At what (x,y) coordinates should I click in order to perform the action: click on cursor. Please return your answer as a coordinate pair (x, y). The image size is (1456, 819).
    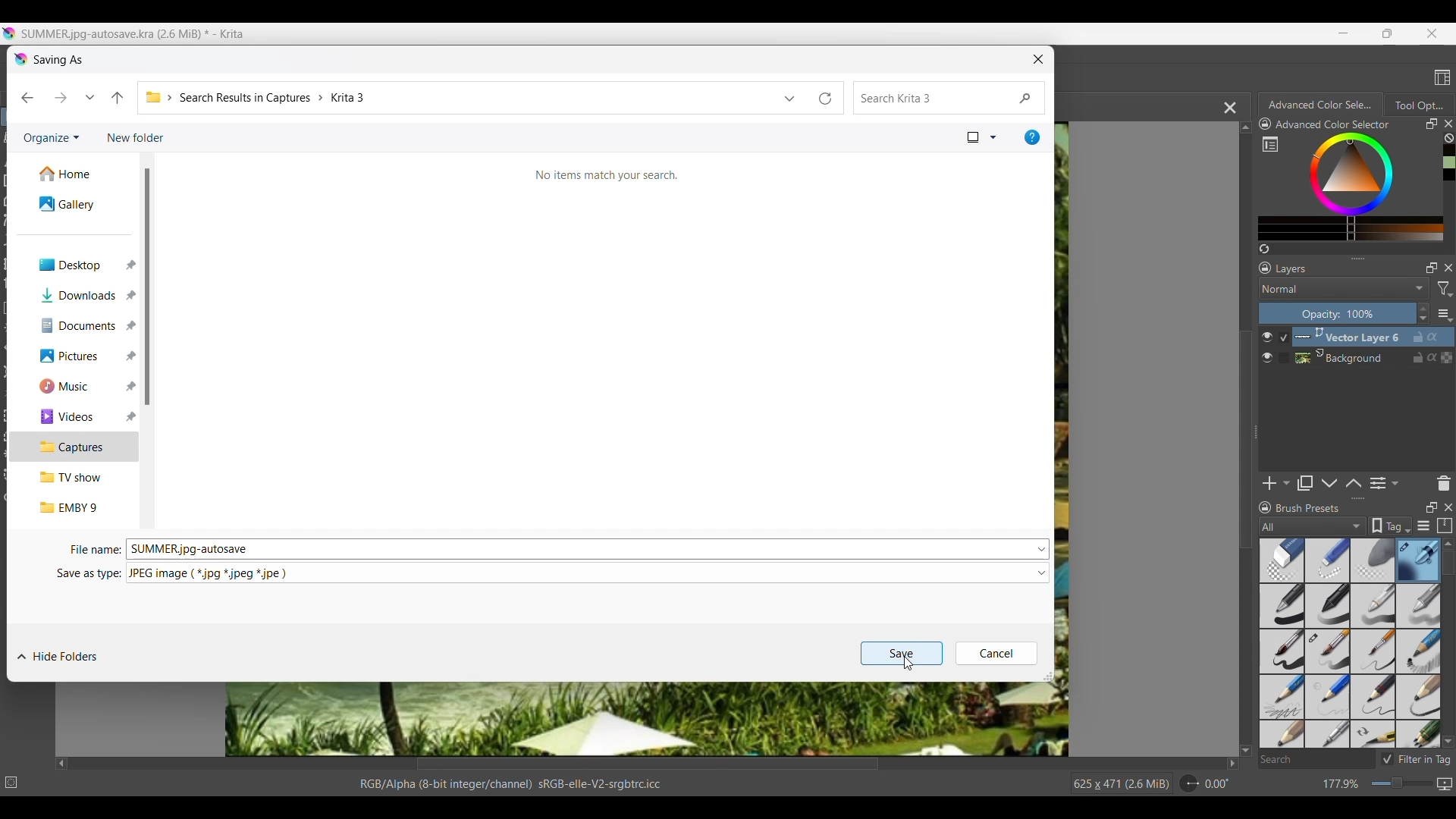
    Looking at the image, I should click on (910, 663).